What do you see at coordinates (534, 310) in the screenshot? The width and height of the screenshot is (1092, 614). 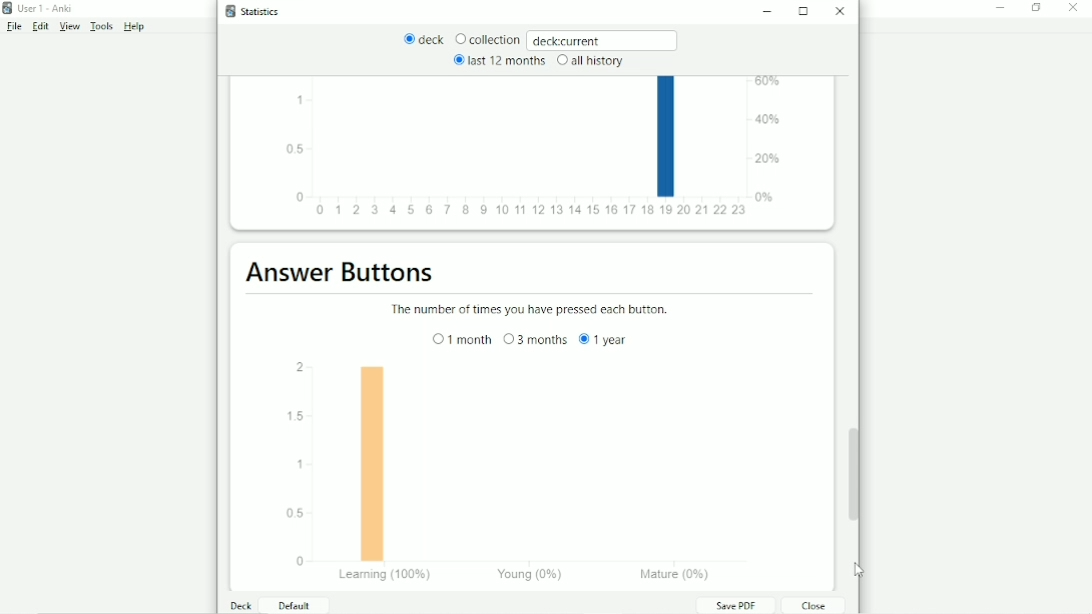 I see `The number of times you have pressed each button.` at bounding box center [534, 310].